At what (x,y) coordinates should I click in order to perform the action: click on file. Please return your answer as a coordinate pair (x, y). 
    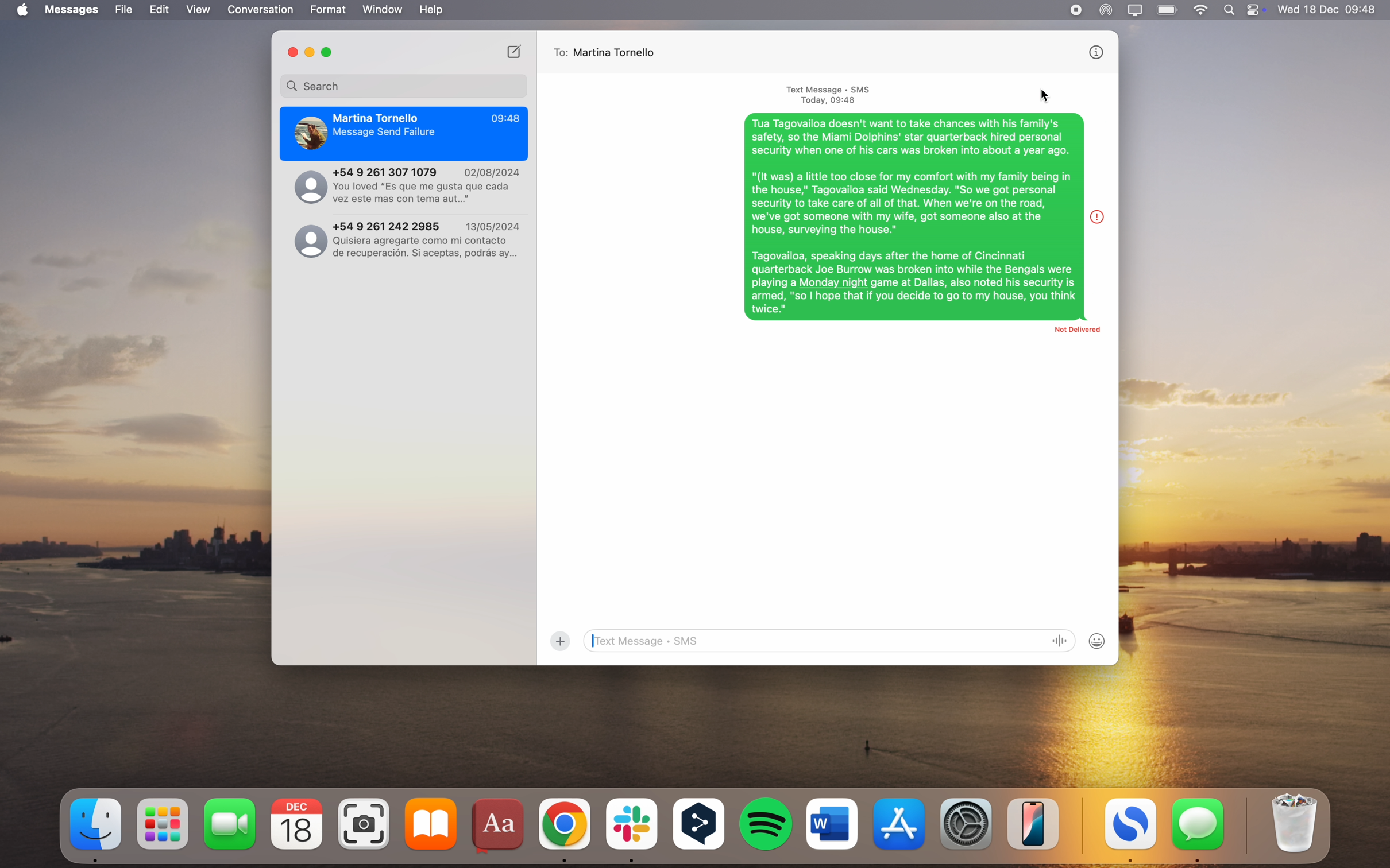
    Looking at the image, I should click on (124, 10).